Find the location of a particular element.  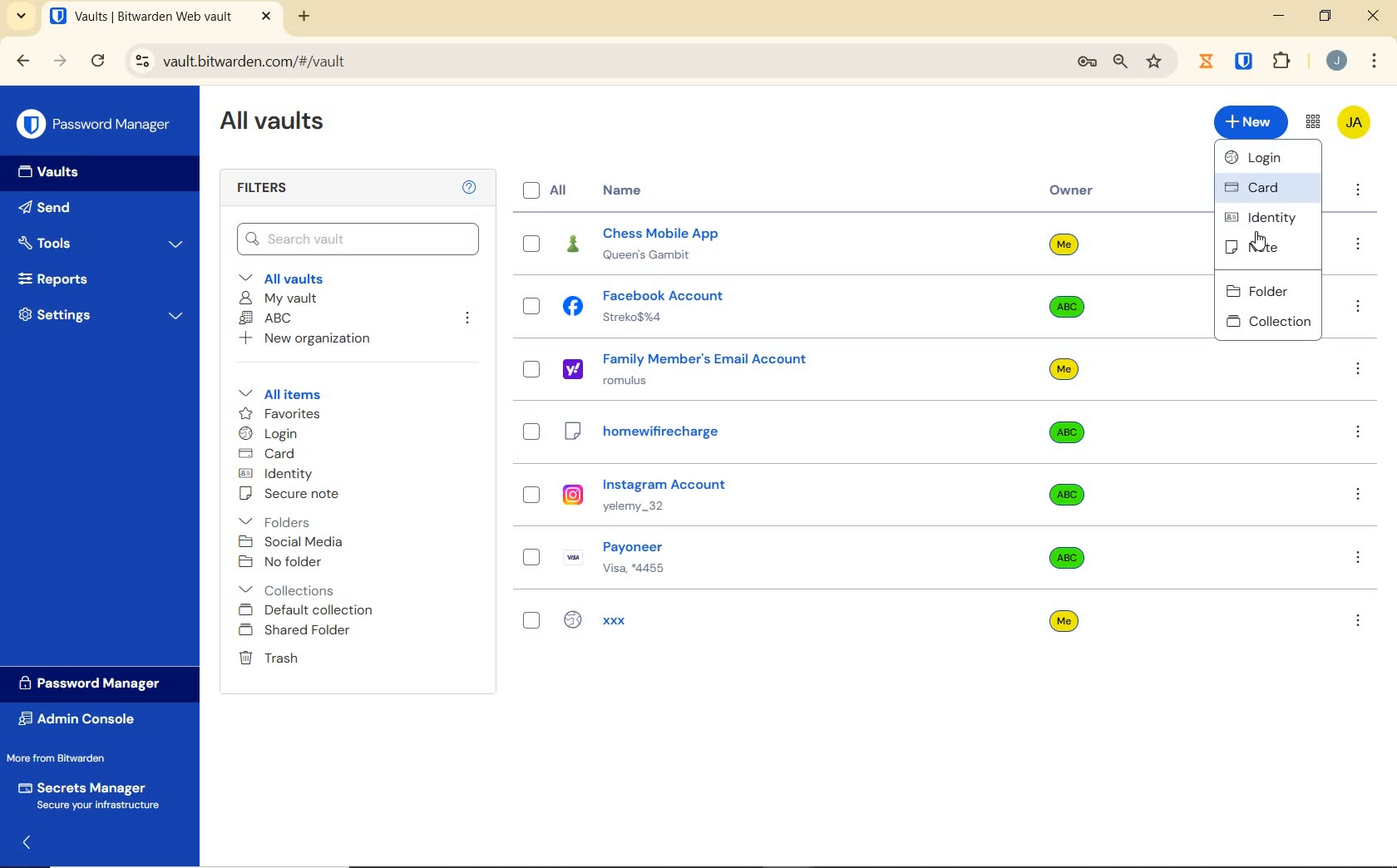

RESTORE is located at coordinates (1325, 18).